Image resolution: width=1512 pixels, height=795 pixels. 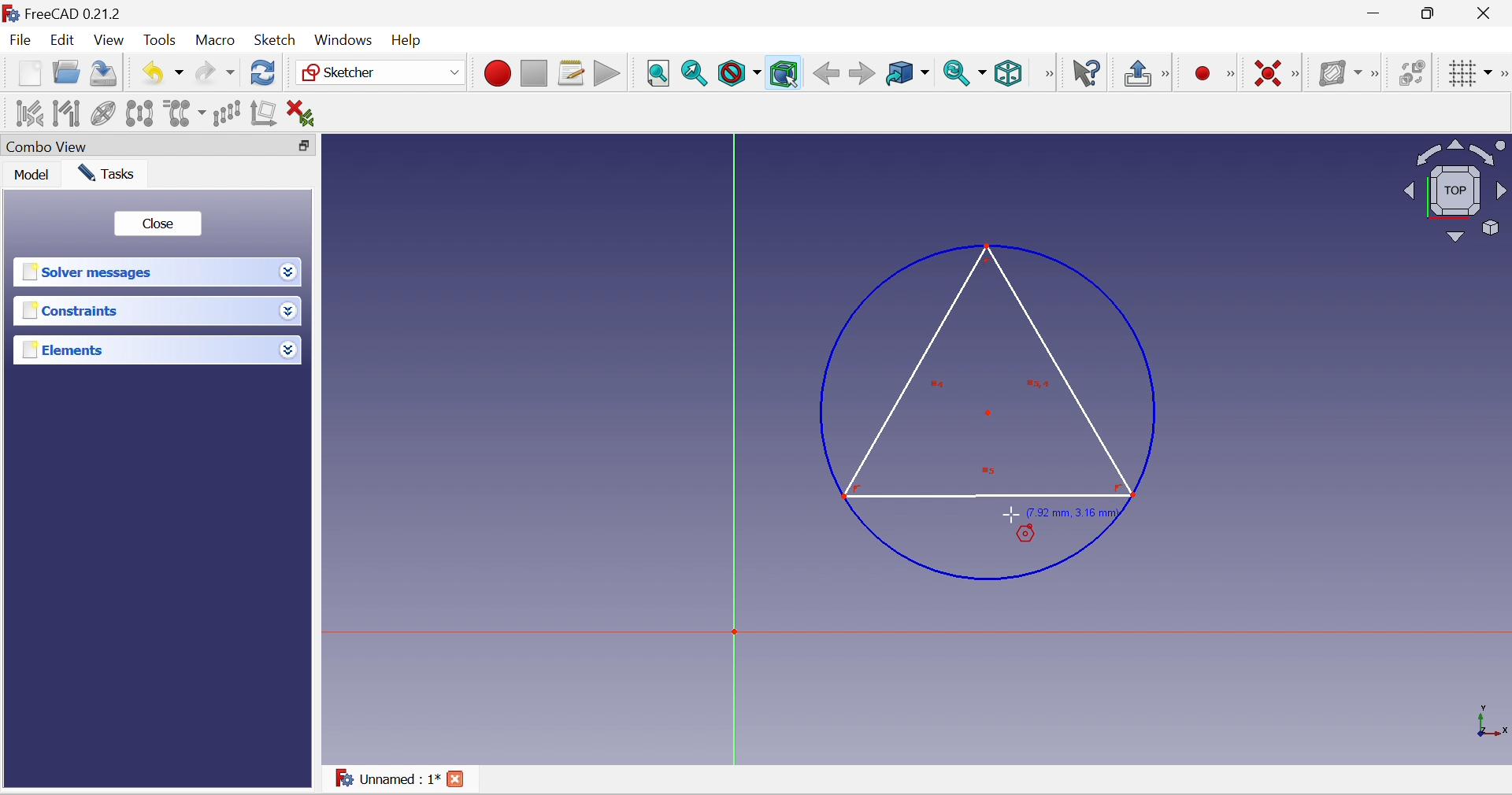 I want to click on Open, so click(x=67, y=74).